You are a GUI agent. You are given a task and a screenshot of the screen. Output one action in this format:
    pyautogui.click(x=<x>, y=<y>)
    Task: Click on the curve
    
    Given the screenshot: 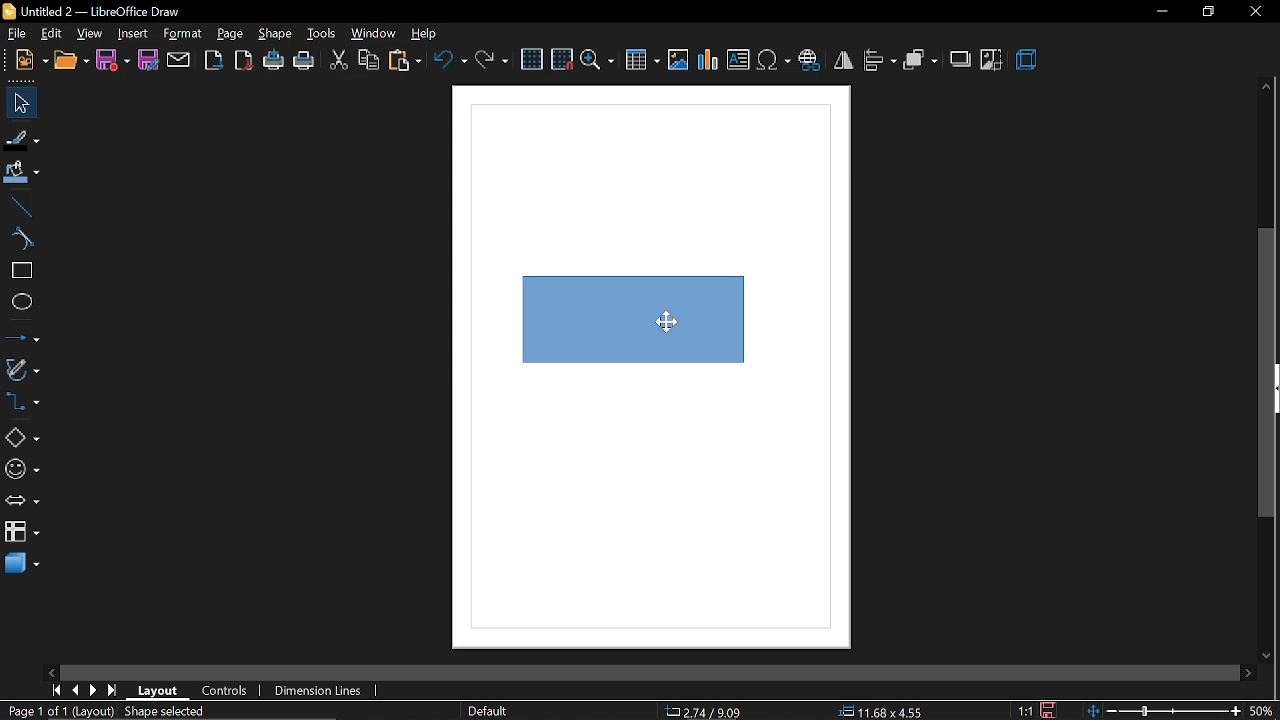 What is the action you would take?
    pyautogui.click(x=20, y=238)
    